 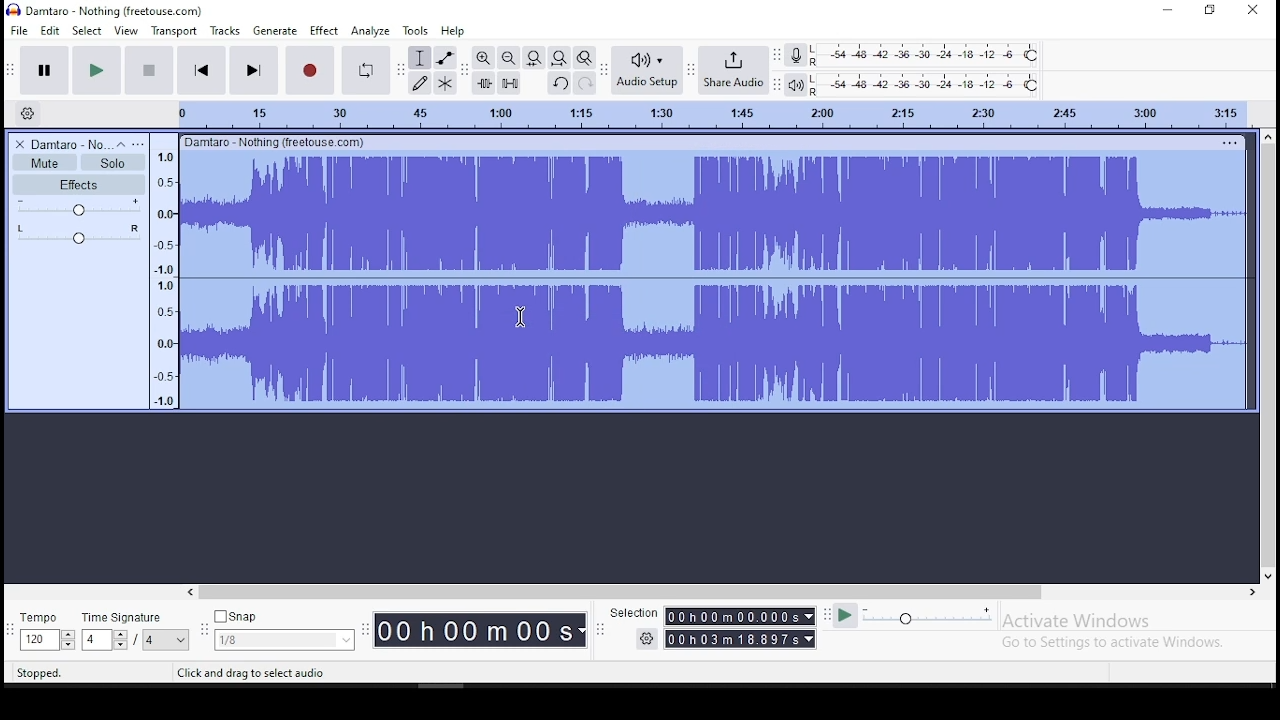 What do you see at coordinates (106, 640) in the screenshot?
I see `toggle buttons` at bounding box center [106, 640].